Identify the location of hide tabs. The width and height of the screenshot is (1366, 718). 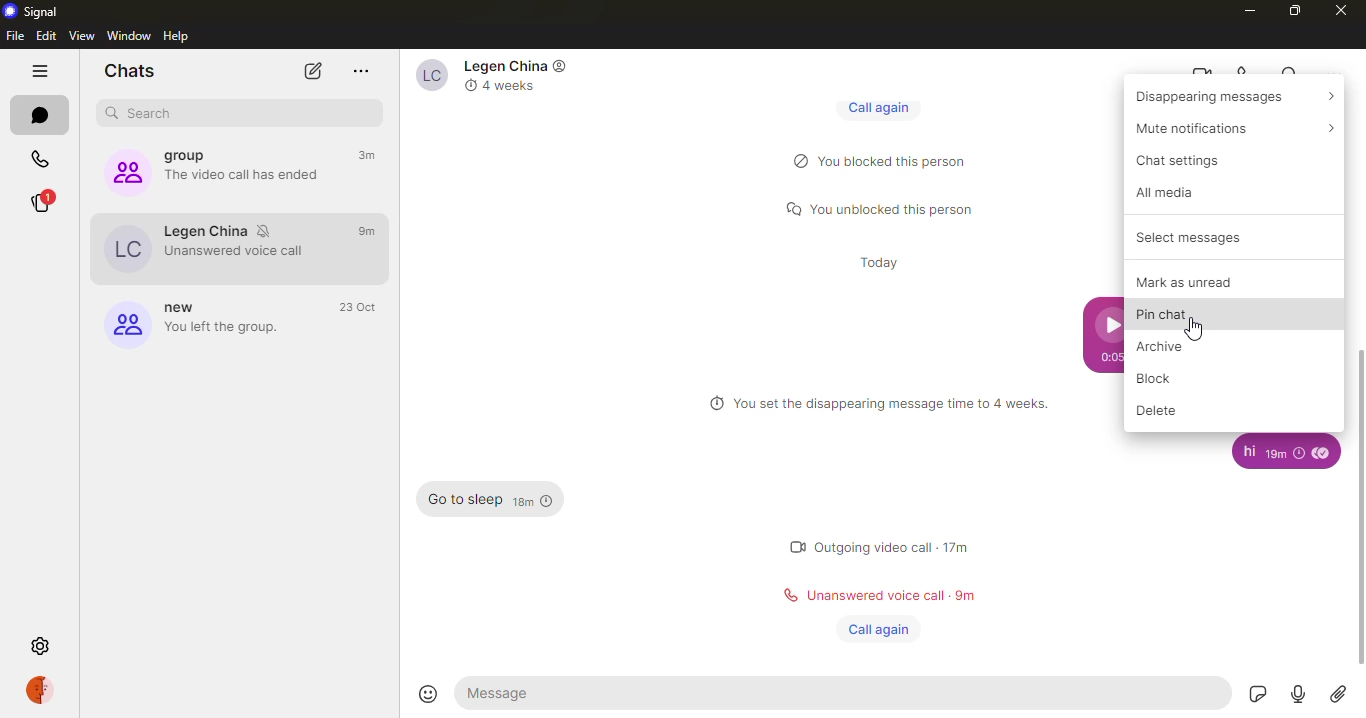
(34, 73).